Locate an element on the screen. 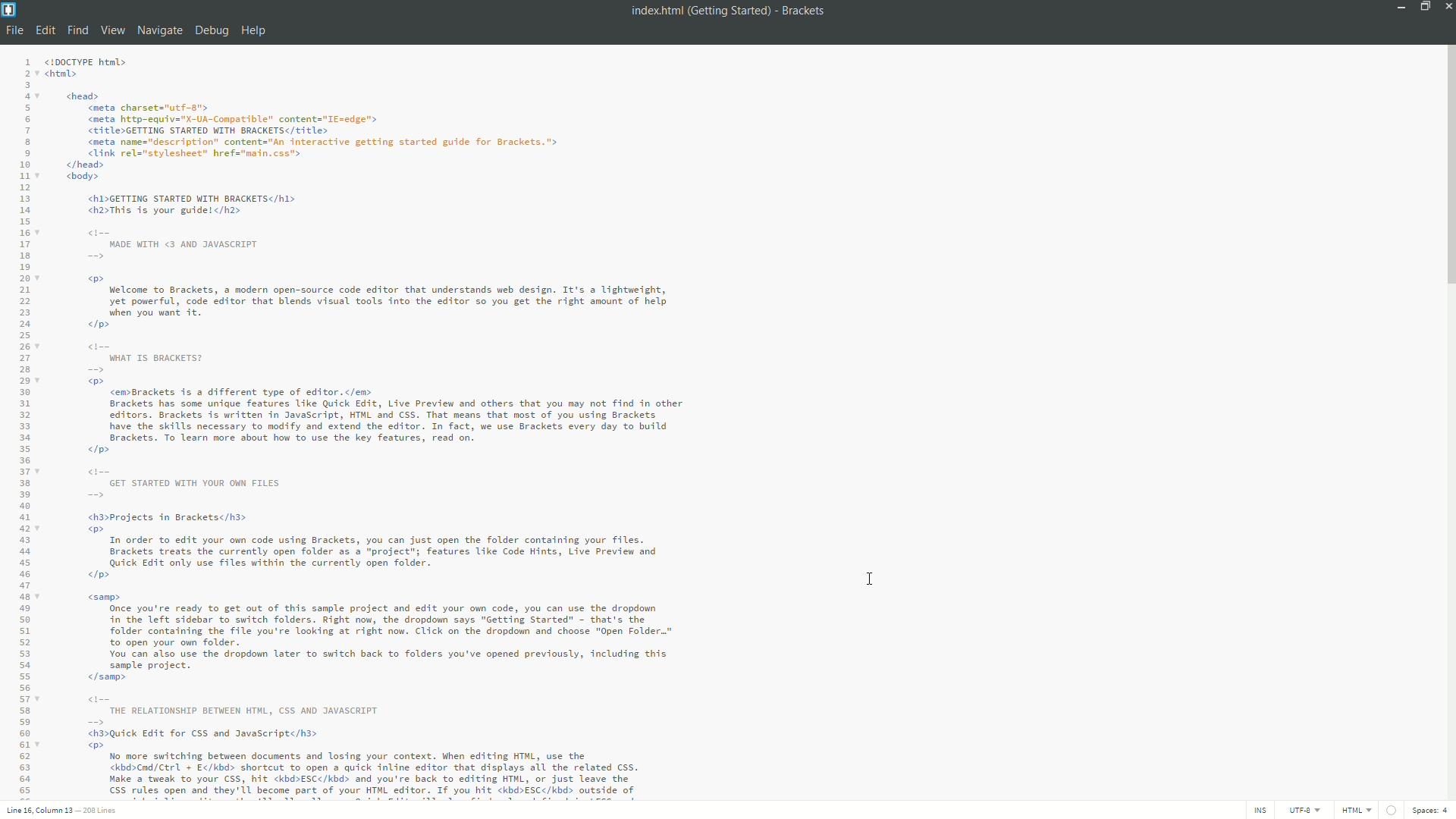  line numbers is located at coordinates (22, 428).